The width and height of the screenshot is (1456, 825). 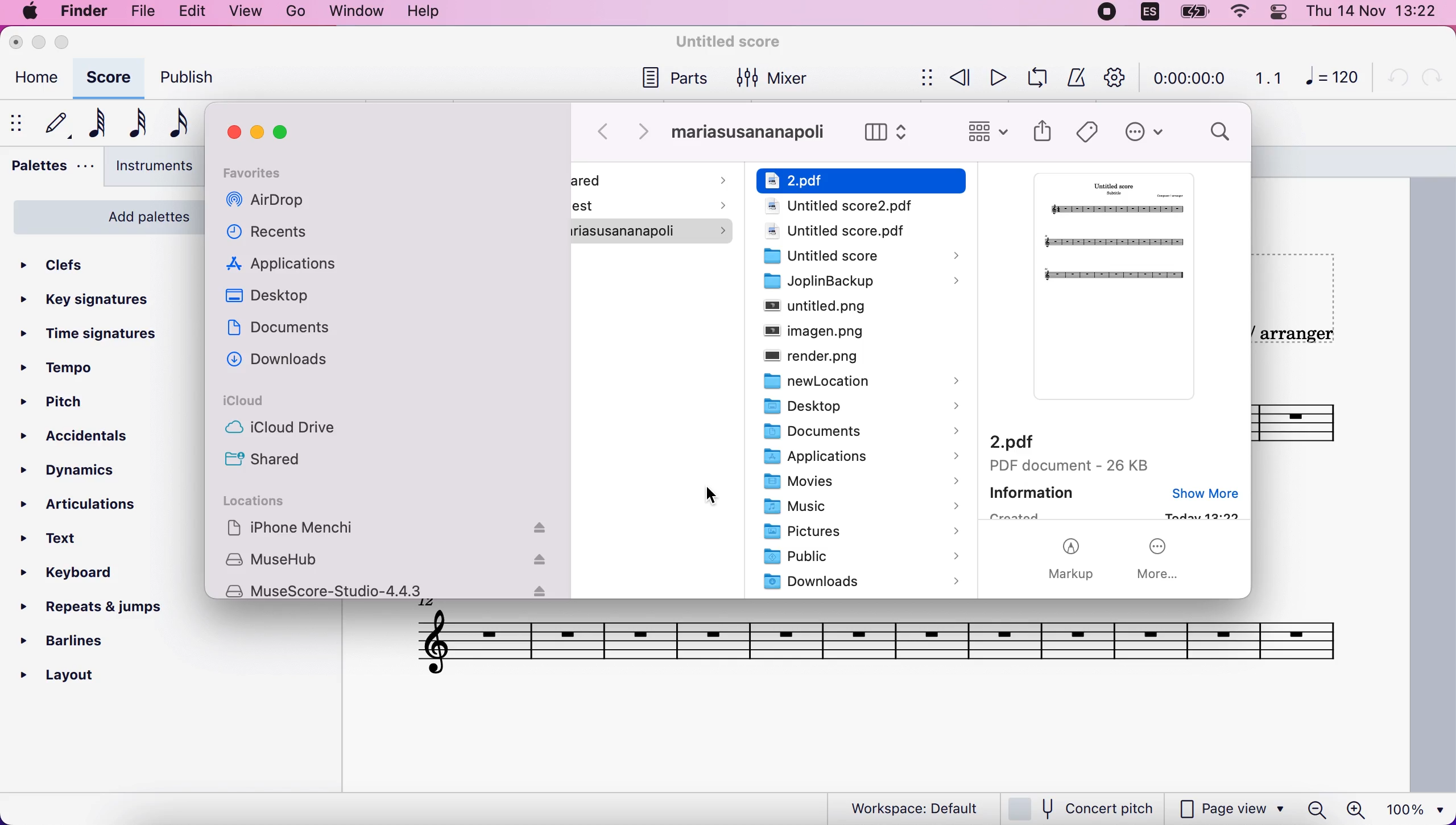 I want to click on wifi, so click(x=1230, y=13).